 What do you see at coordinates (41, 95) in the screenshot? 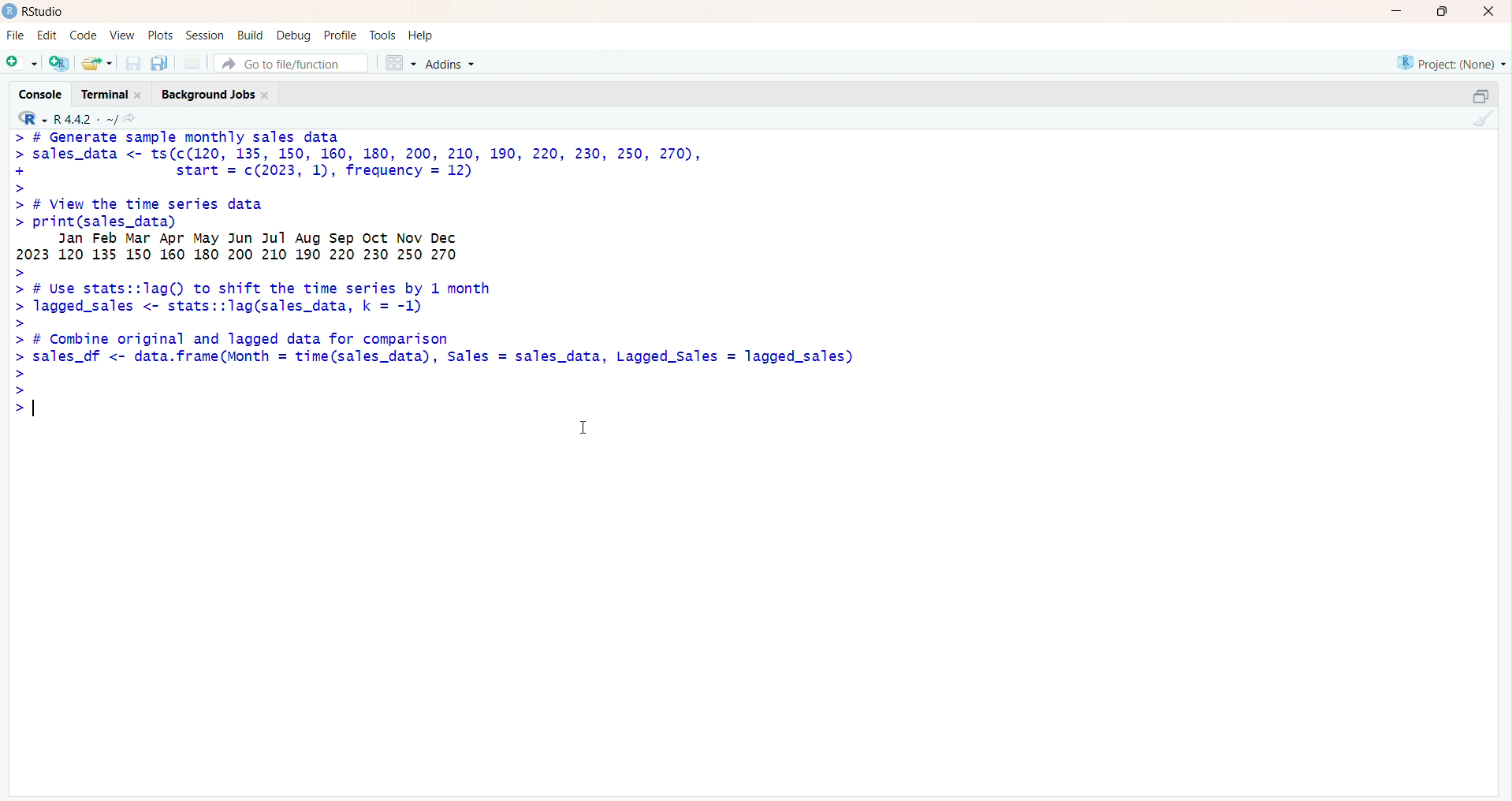
I see `console` at bounding box center [41, 95].